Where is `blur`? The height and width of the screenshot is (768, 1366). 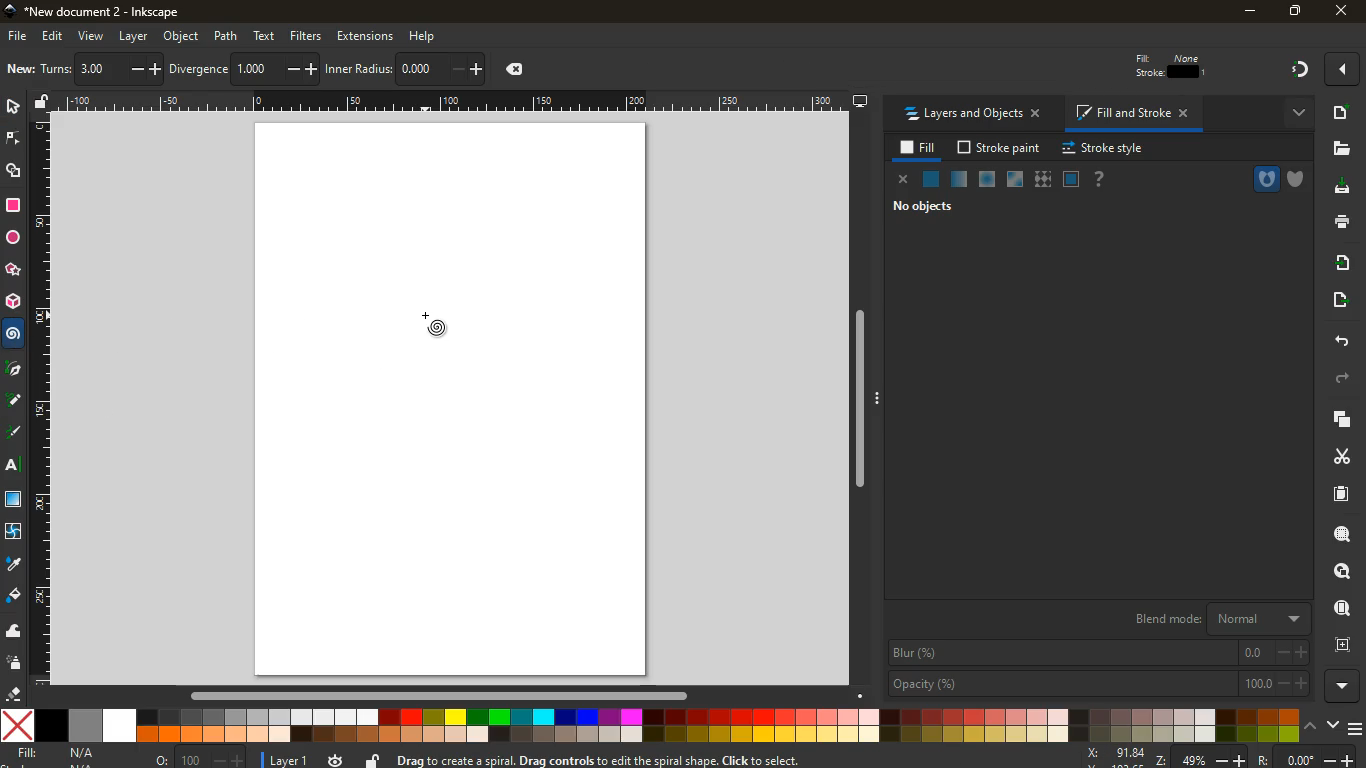 blur is located at coordinates (1098, 653).